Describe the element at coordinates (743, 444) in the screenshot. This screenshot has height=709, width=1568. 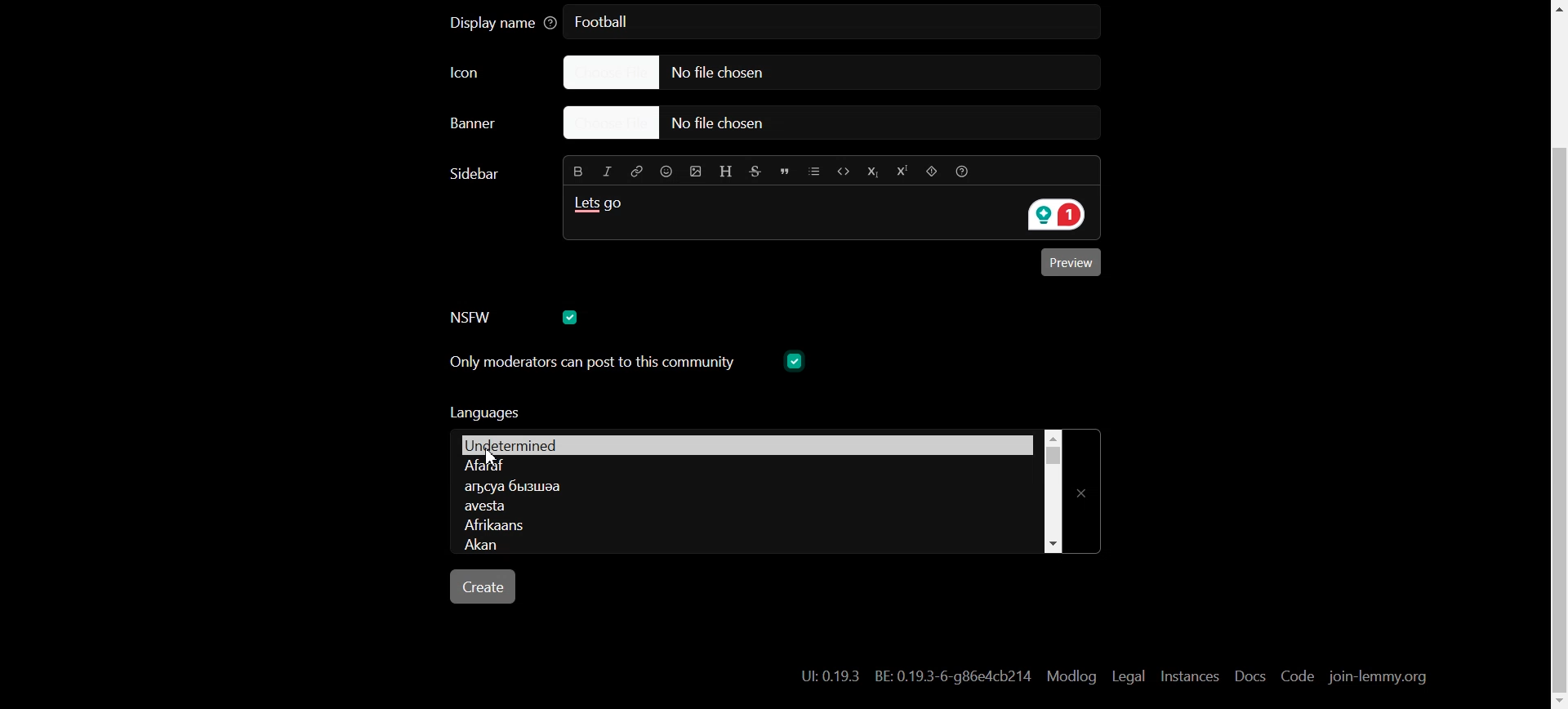
I see `Languages` at that location.